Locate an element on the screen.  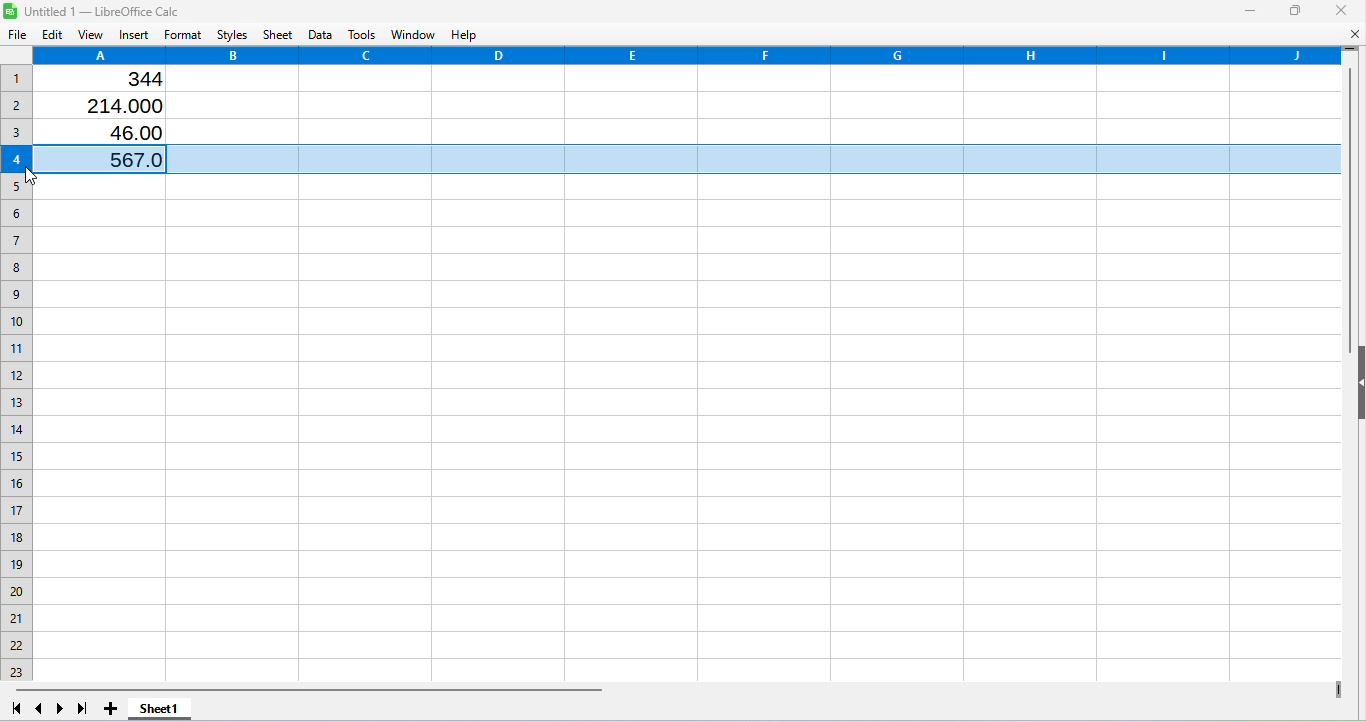
Horizontal scroll bar is located at coordinates (673, 688).